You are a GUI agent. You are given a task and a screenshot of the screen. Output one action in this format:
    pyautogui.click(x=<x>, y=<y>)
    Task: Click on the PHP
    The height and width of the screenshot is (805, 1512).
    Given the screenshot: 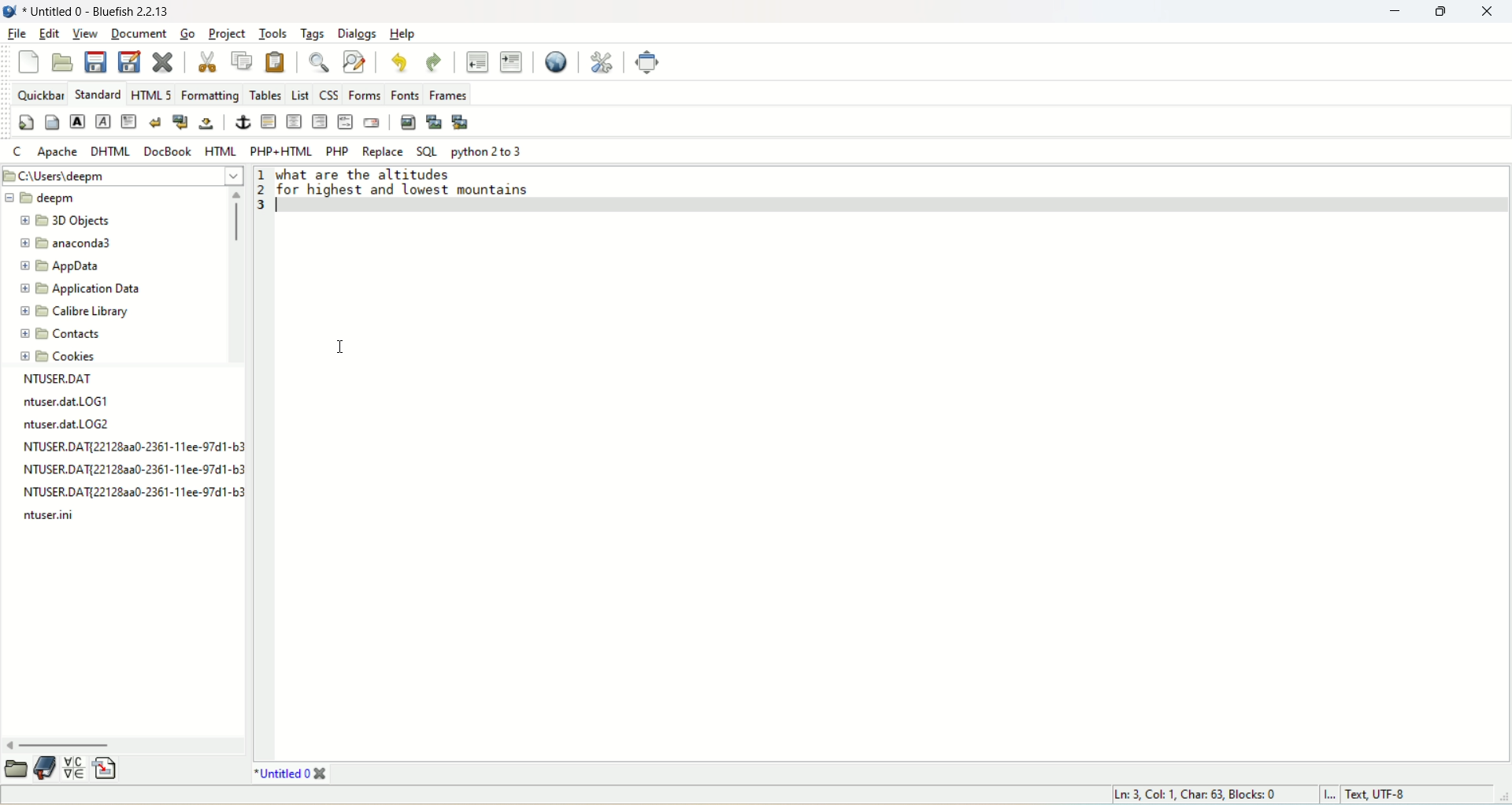 What is the action you would take?
    pyautogui.click(x=336, y=150)
    